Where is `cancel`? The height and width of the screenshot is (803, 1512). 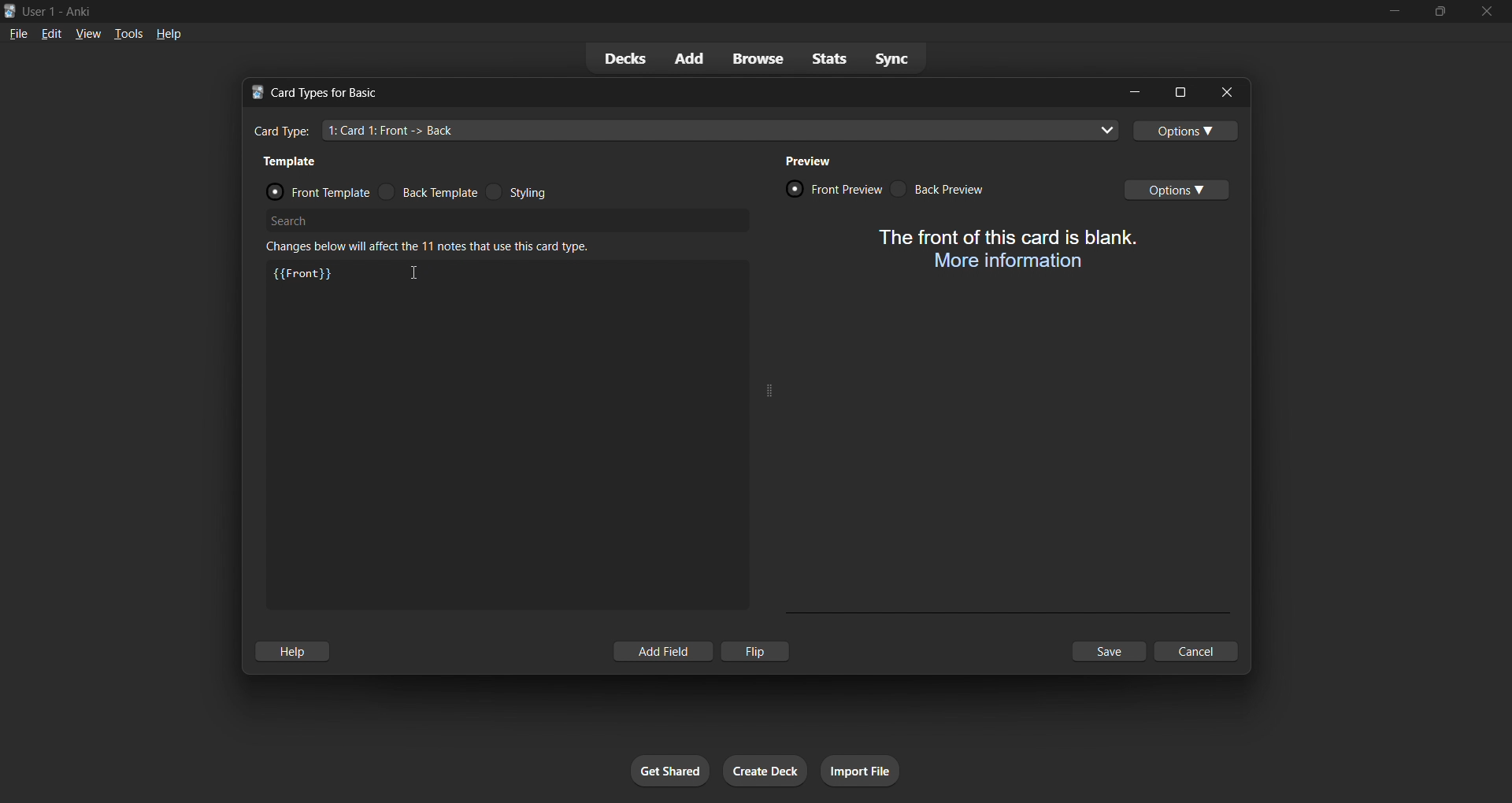
cancel is located at coordinates (1197, 650).